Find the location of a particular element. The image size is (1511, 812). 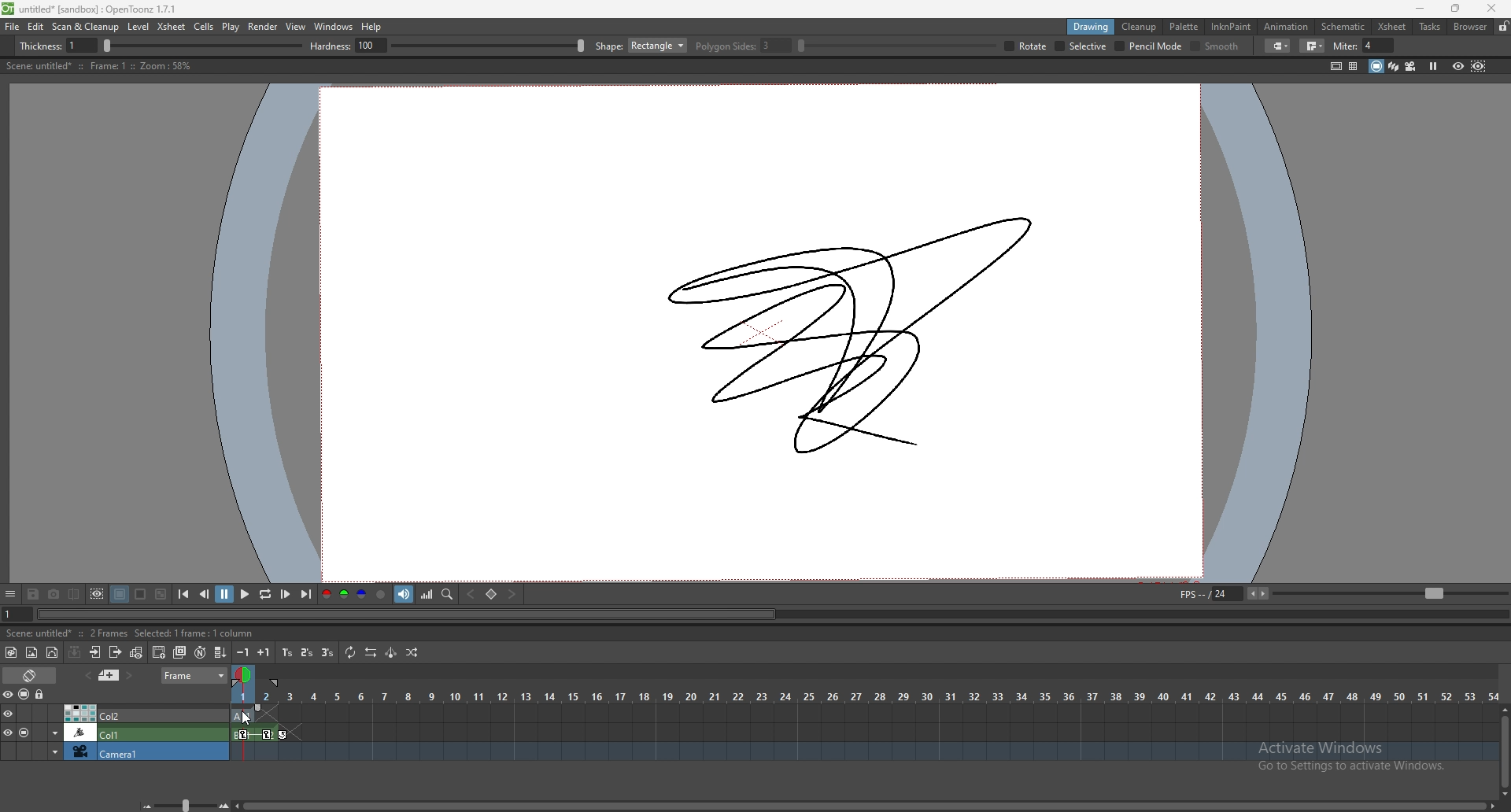

options is located at coordinates (10, 595).